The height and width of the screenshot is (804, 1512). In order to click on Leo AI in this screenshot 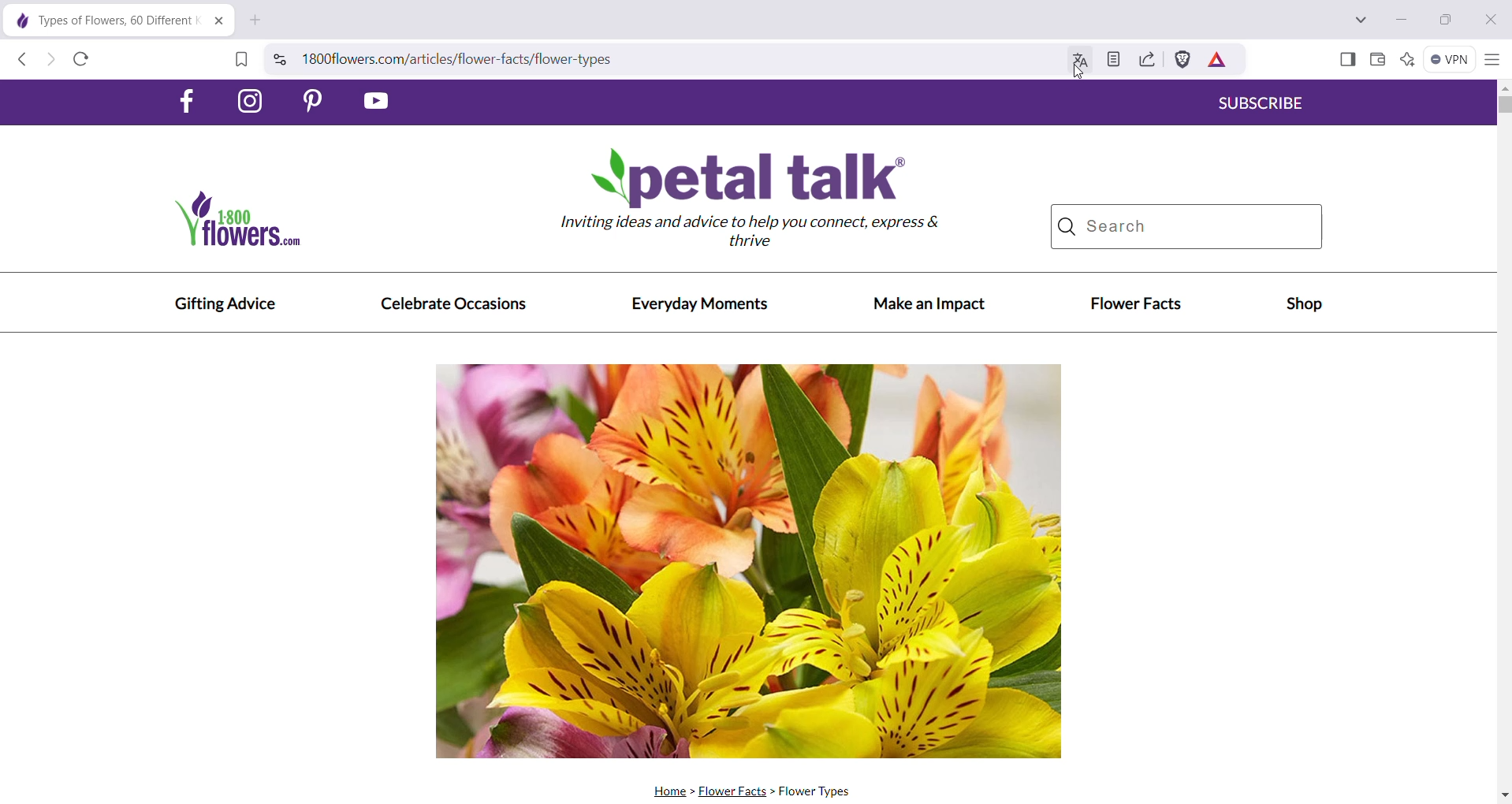, I will do `click(1408, 61)`.